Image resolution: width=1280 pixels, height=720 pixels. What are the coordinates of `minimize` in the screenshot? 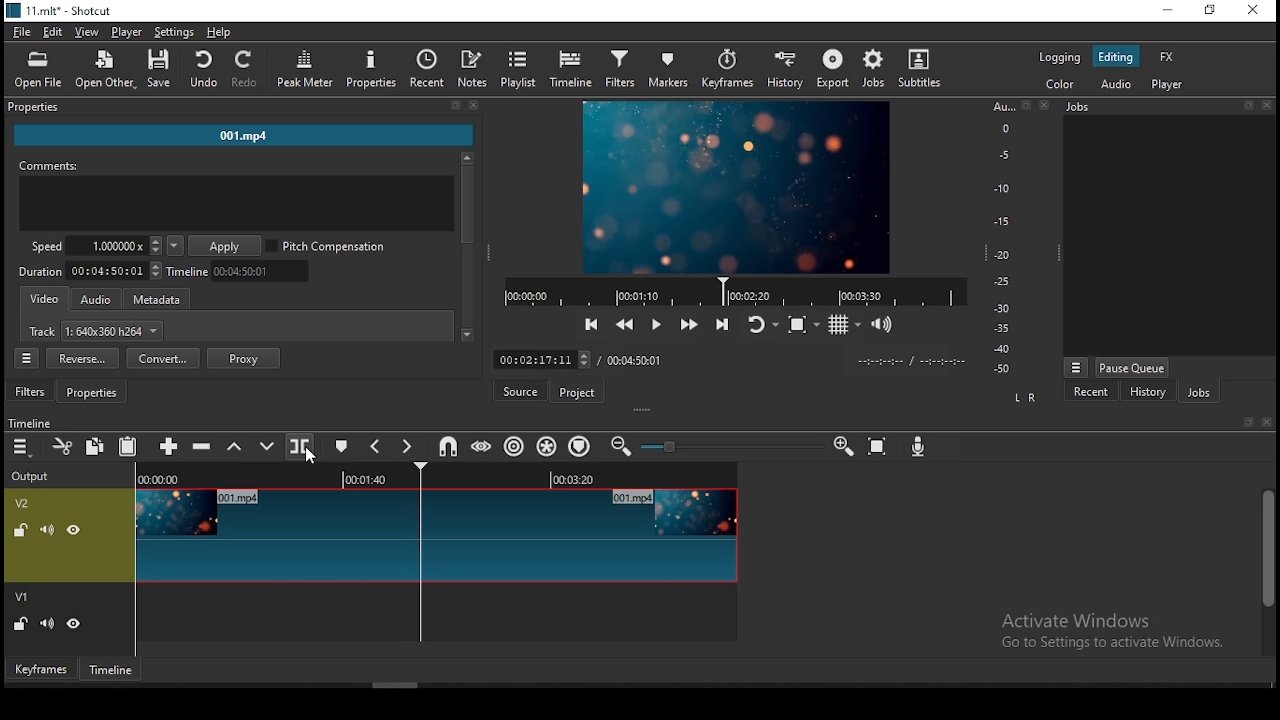 It's located at (1166, 11).